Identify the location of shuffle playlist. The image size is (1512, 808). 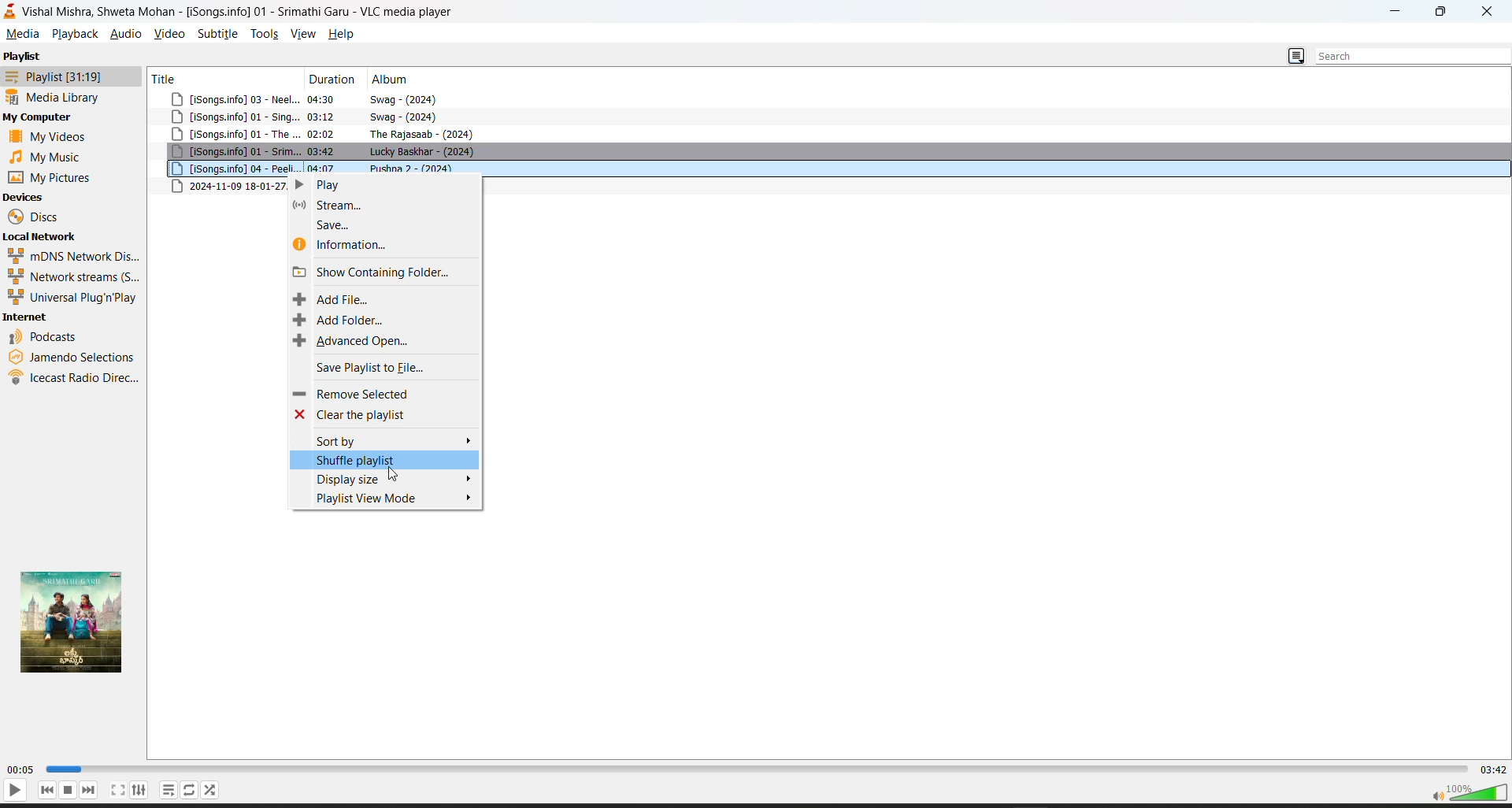
(385, 460).